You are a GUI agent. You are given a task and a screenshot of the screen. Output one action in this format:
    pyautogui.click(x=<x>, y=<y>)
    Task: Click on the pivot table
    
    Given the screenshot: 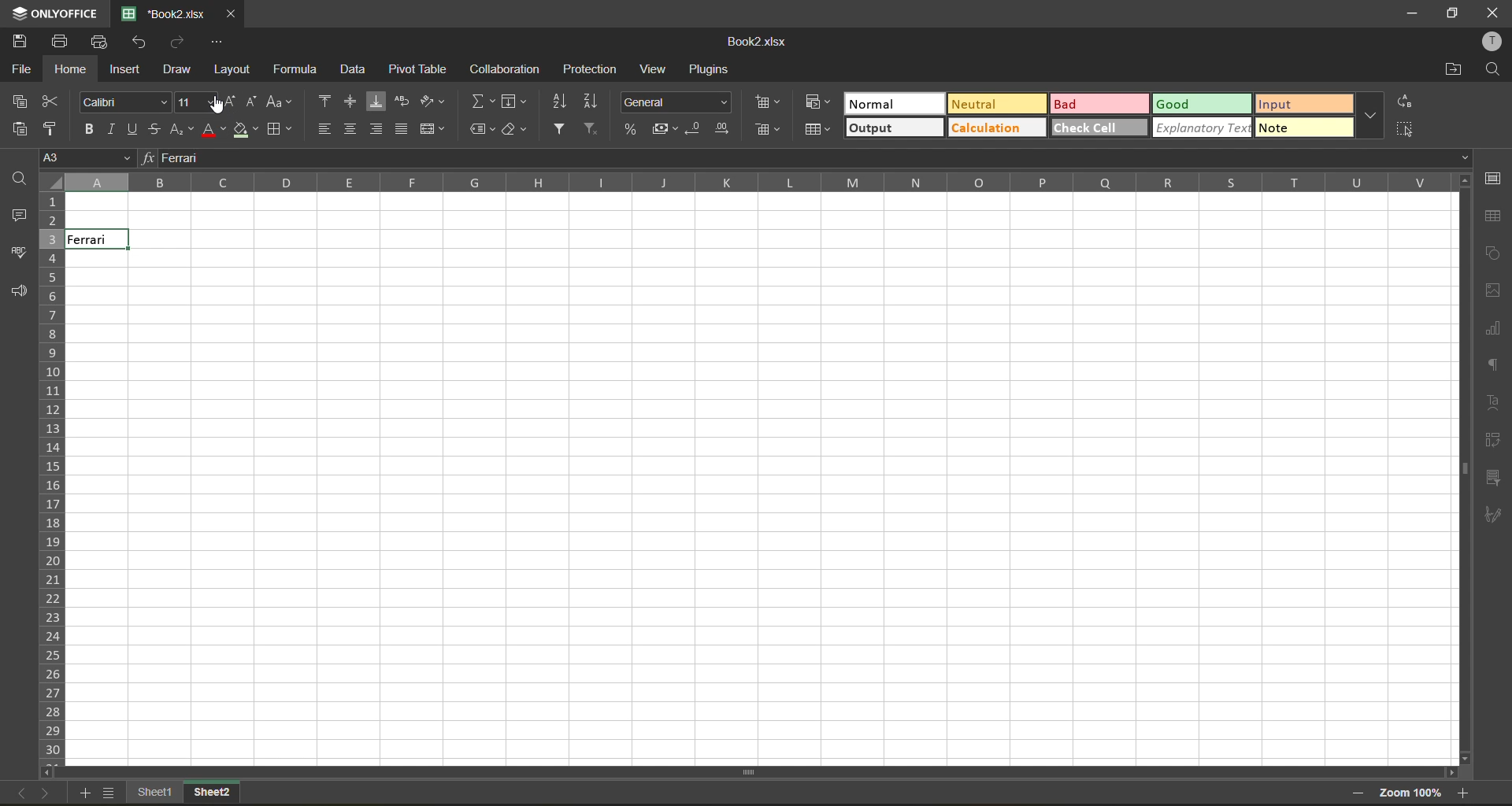 What is the action you would take?
    pyautogui.click(x=1496, y=441)
    